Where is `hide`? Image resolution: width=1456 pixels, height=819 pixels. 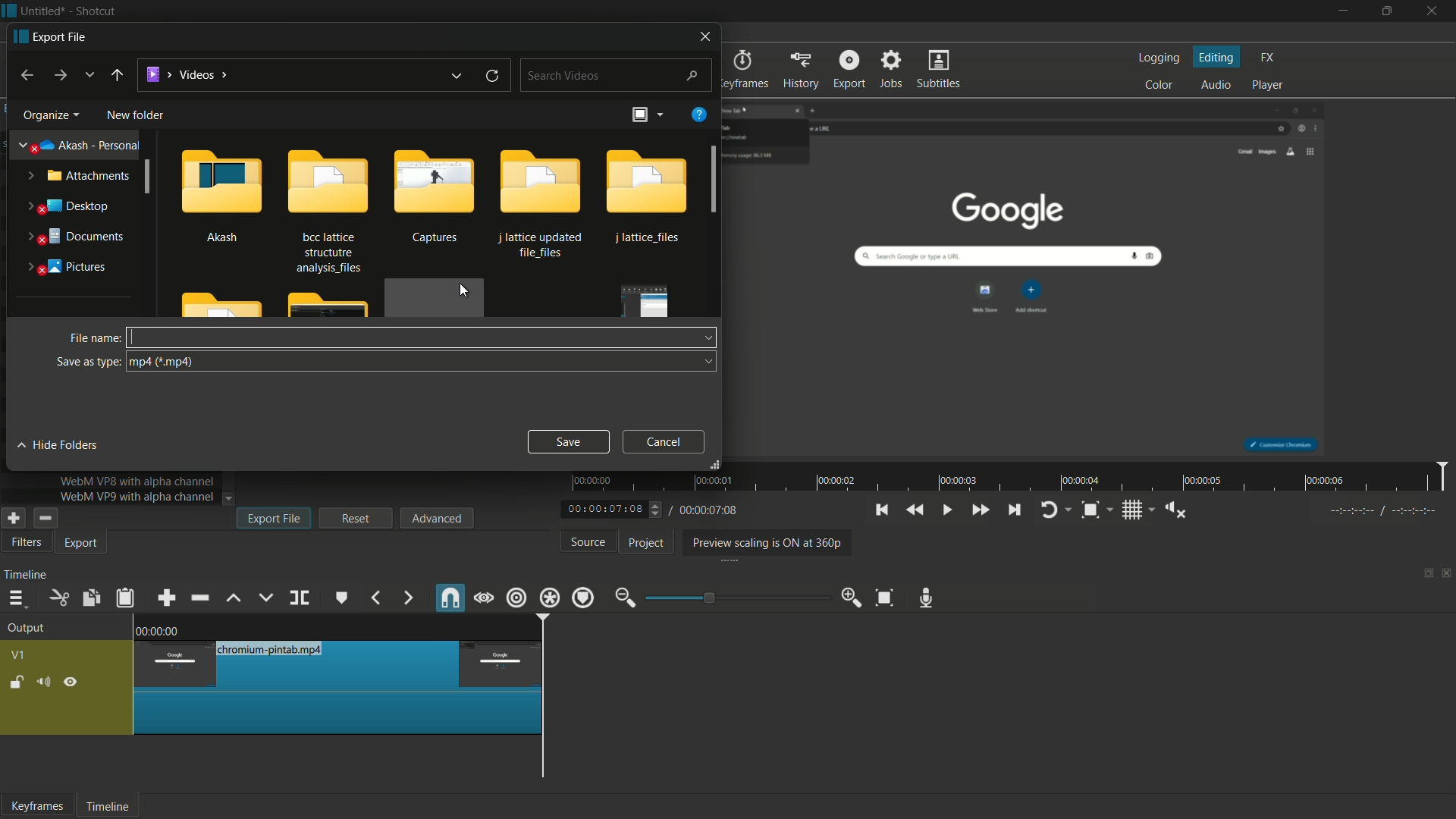 hide is located at coordinates (71, 685).